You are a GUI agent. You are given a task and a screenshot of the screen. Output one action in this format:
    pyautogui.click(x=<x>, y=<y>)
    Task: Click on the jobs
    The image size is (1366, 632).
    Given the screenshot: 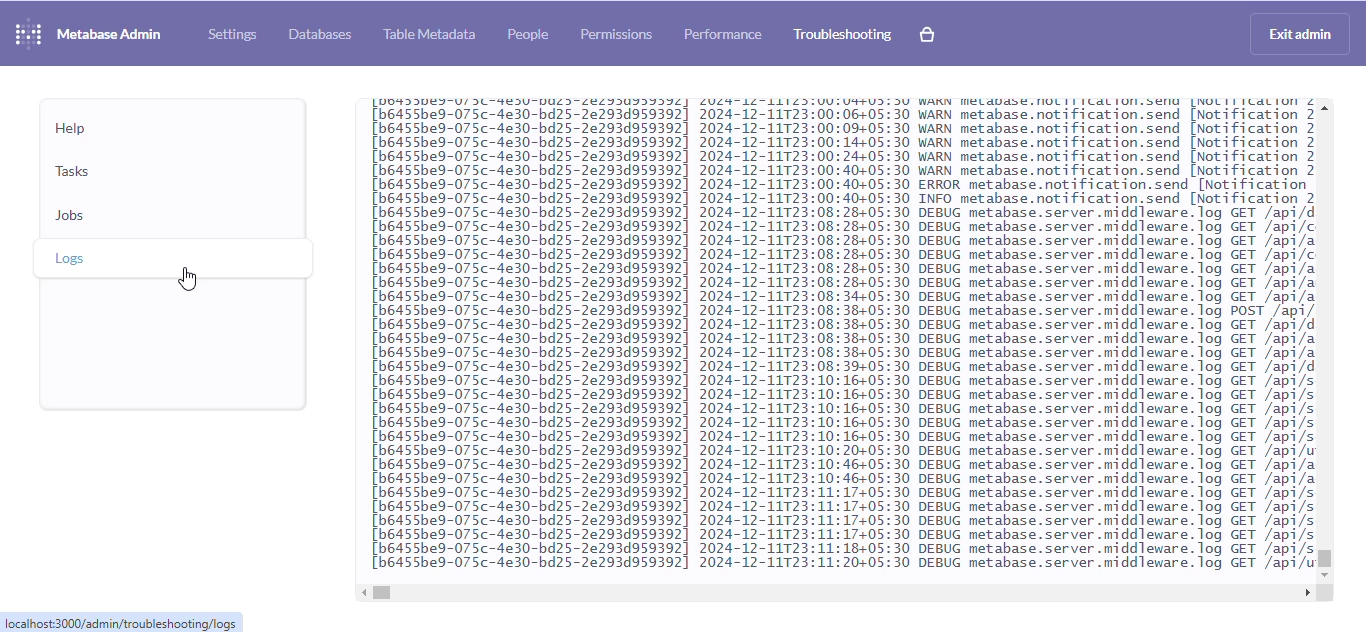 What is the action you would take?
    pyautogui.click(x=71, y=214)
    